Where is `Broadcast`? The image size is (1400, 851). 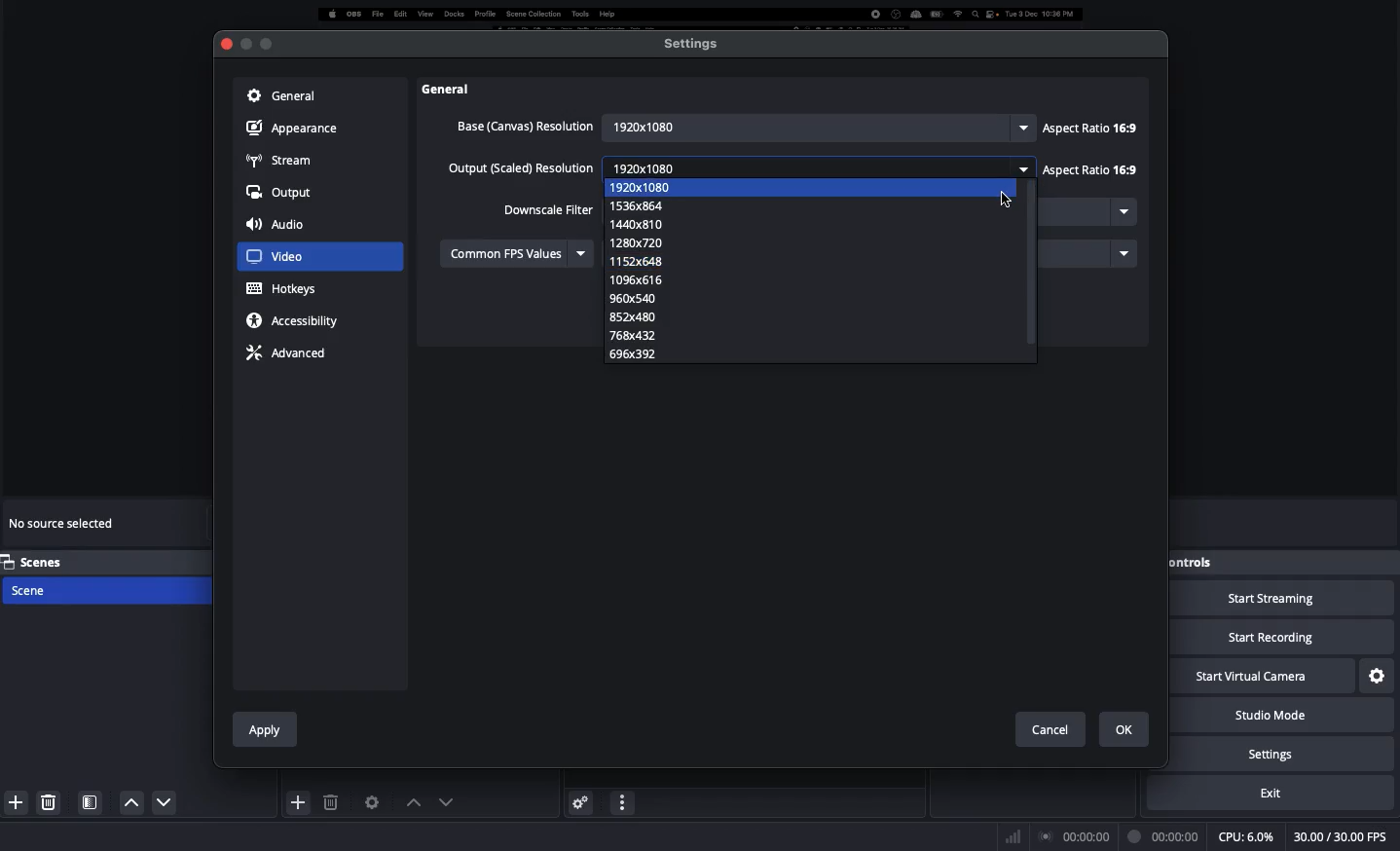 Broadcast is located at coordinates (1076, 836).